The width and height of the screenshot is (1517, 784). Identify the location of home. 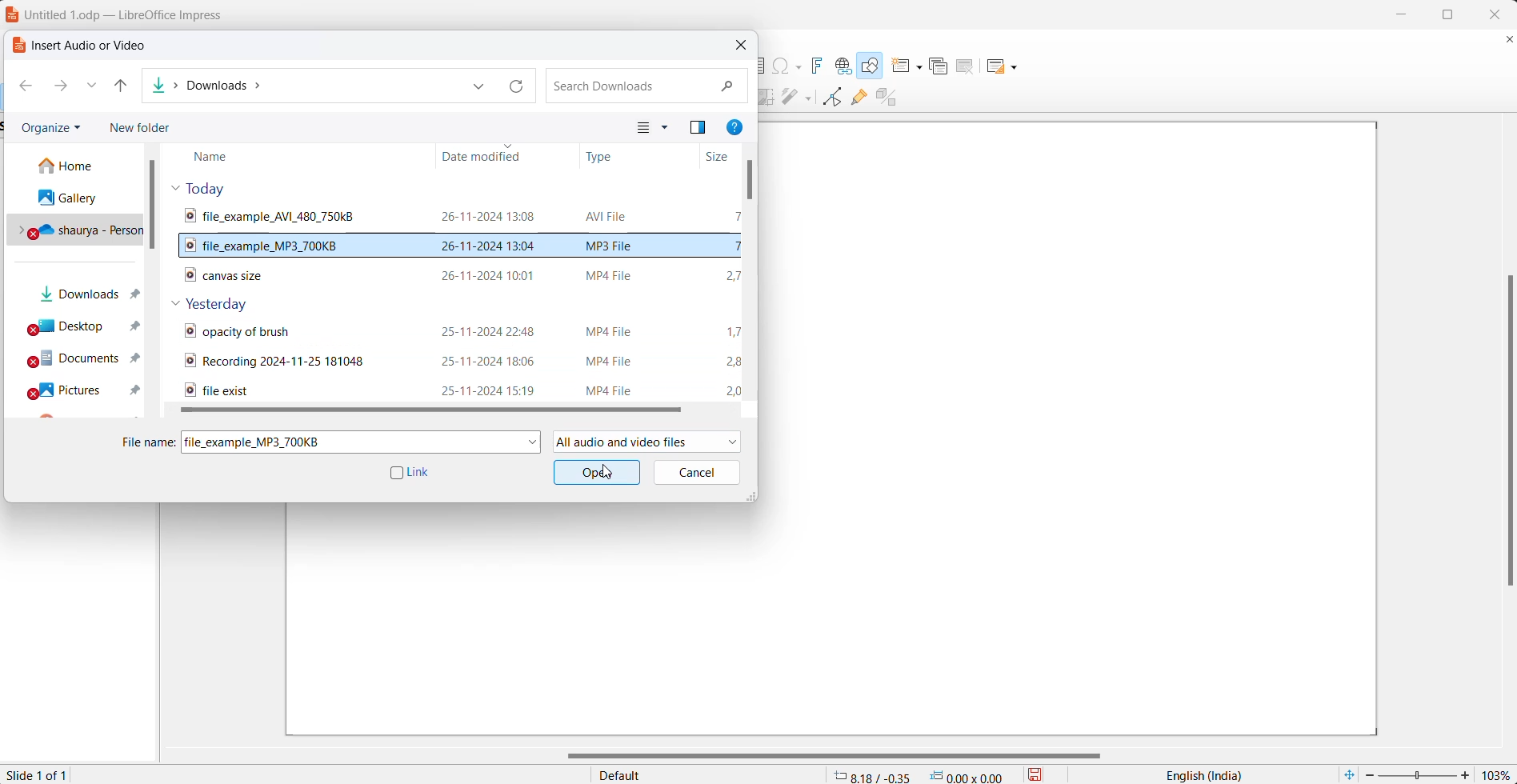
(78, 165).